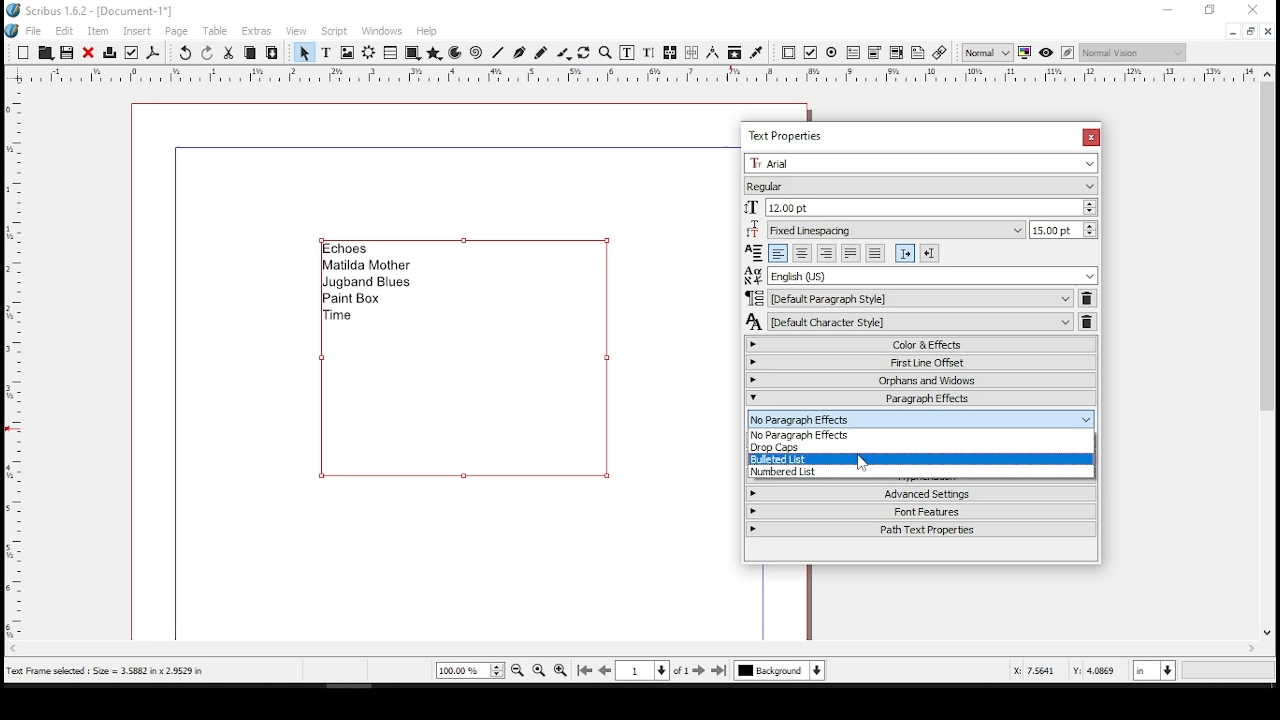 The width and height of the screenshot is (1280, 720). I want to click on restore, so click(1211, 10).